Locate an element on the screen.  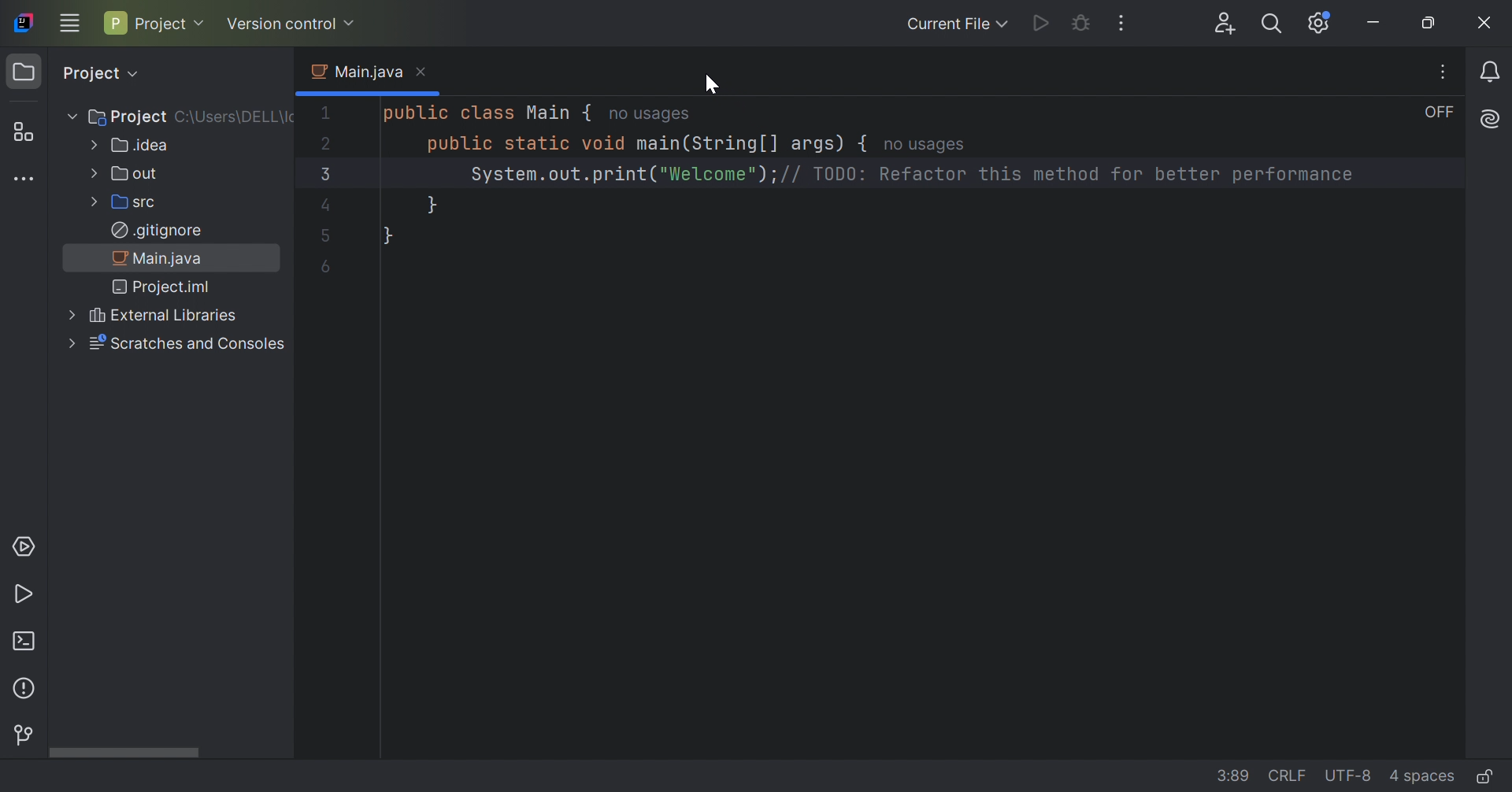
Project.iml is located at coordinates (163, 289).